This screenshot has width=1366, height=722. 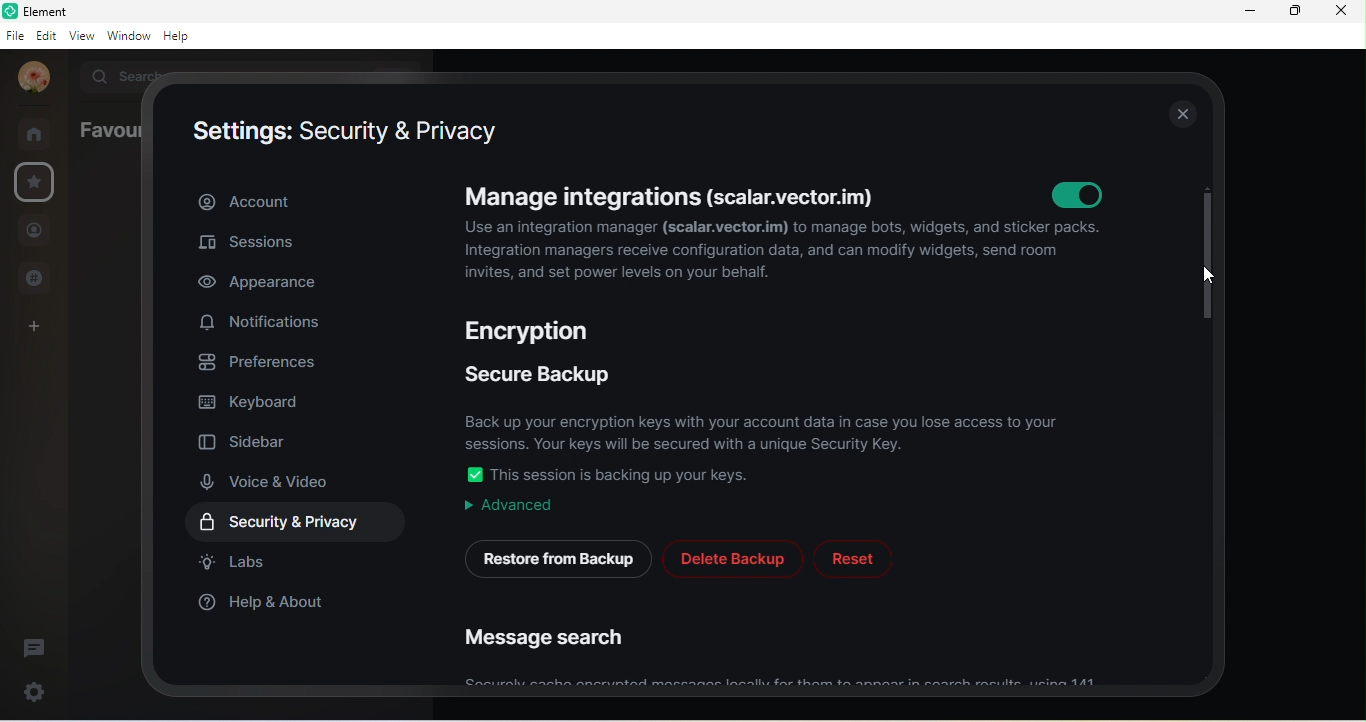 What do you see at coordinates (255, 246) in the screenshot?
I see `sessions` at bounding box center [255, 246].